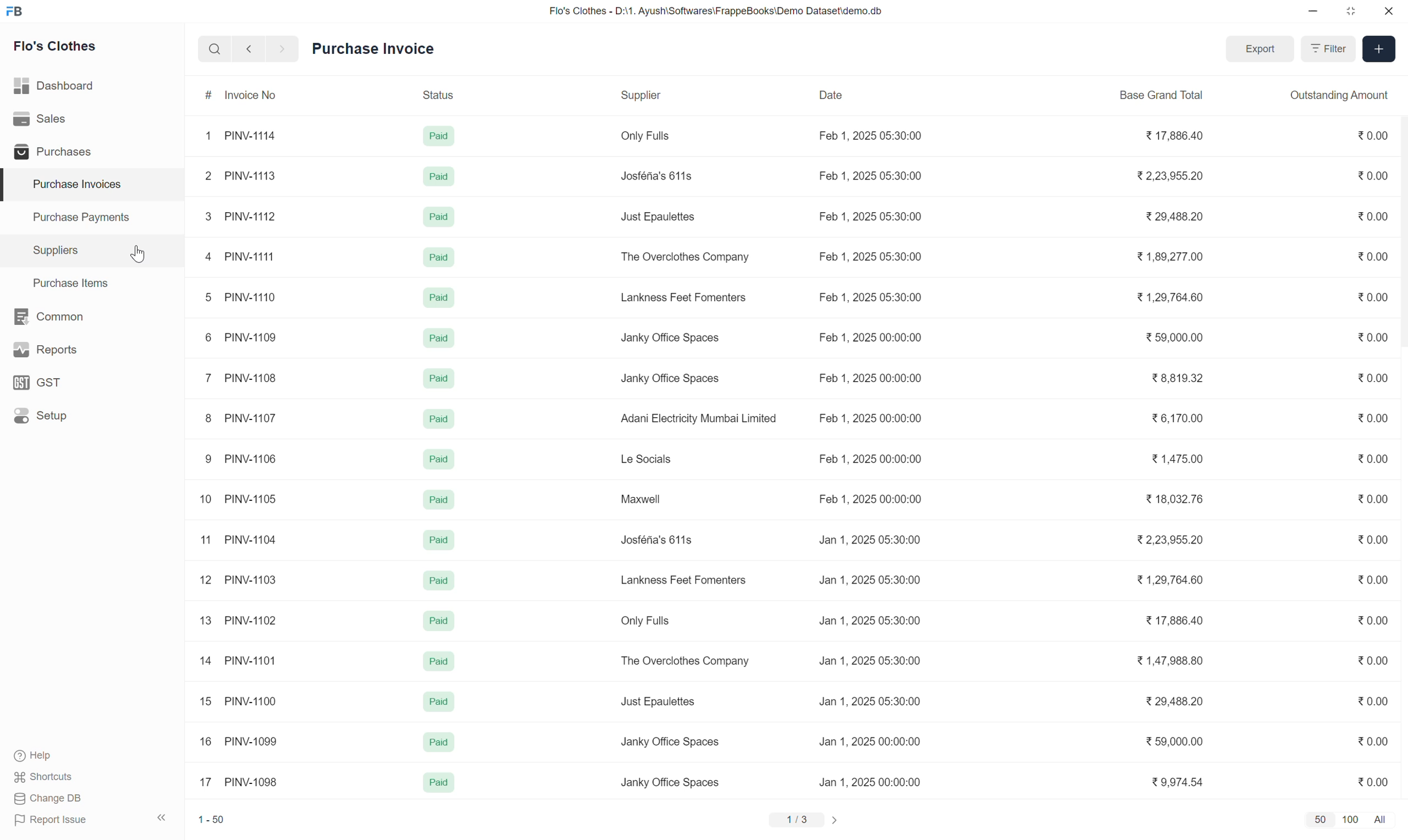  I want to click on Change DB, so click(50, 799).